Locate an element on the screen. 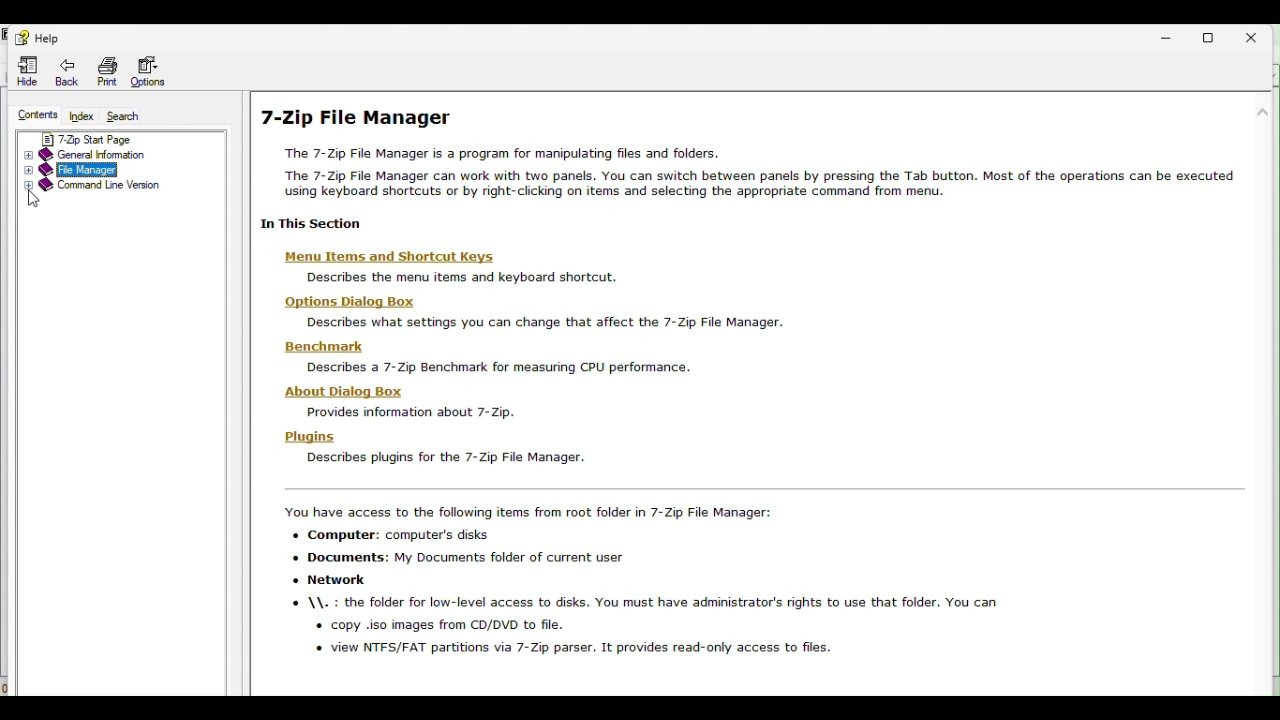 The width and height of the screenshot is (1280, 720). describes the menu items and keyboard shortcut. is located at coordinates (463, 277).